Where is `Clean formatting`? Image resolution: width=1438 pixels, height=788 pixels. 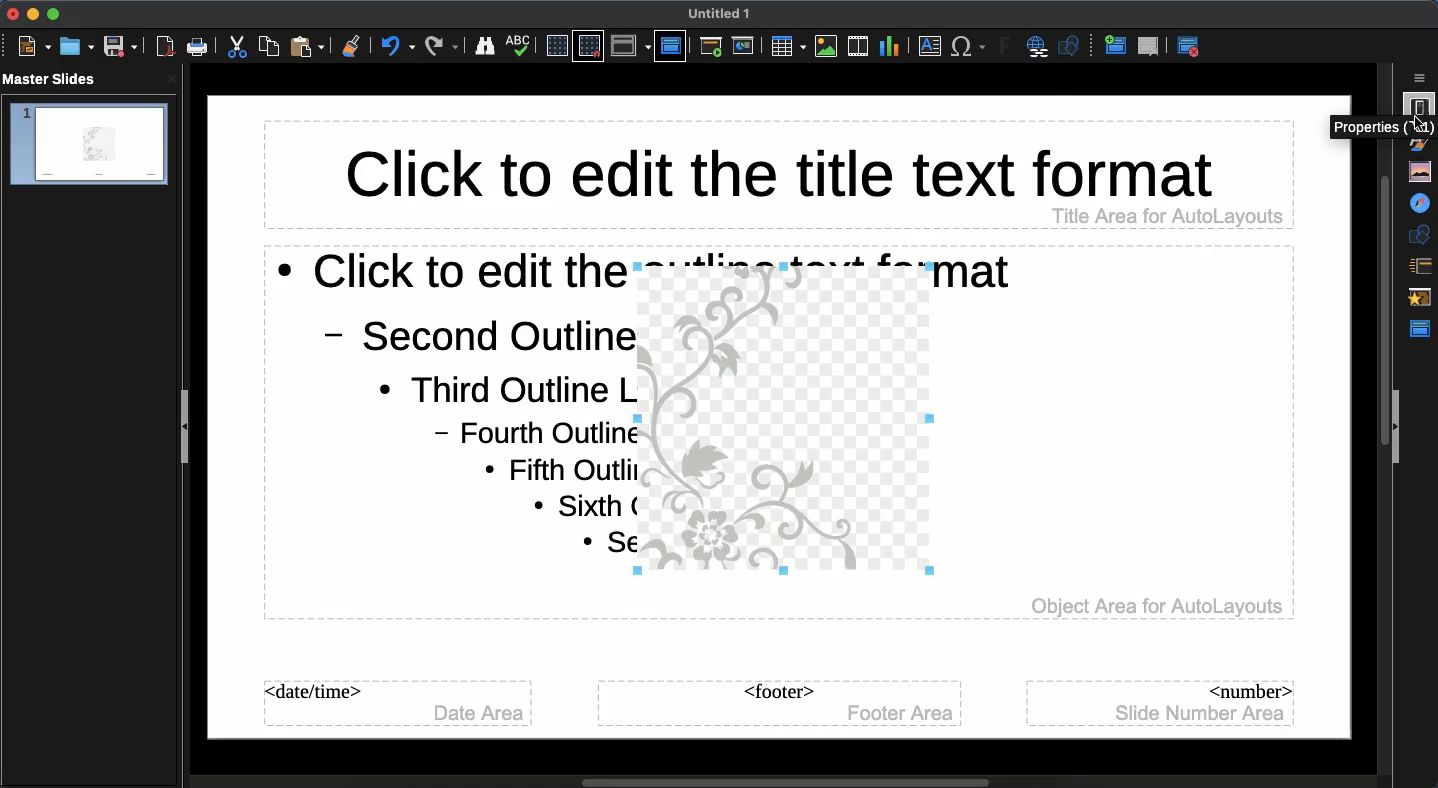 Clean formatting is located at coordinates (351, 46).